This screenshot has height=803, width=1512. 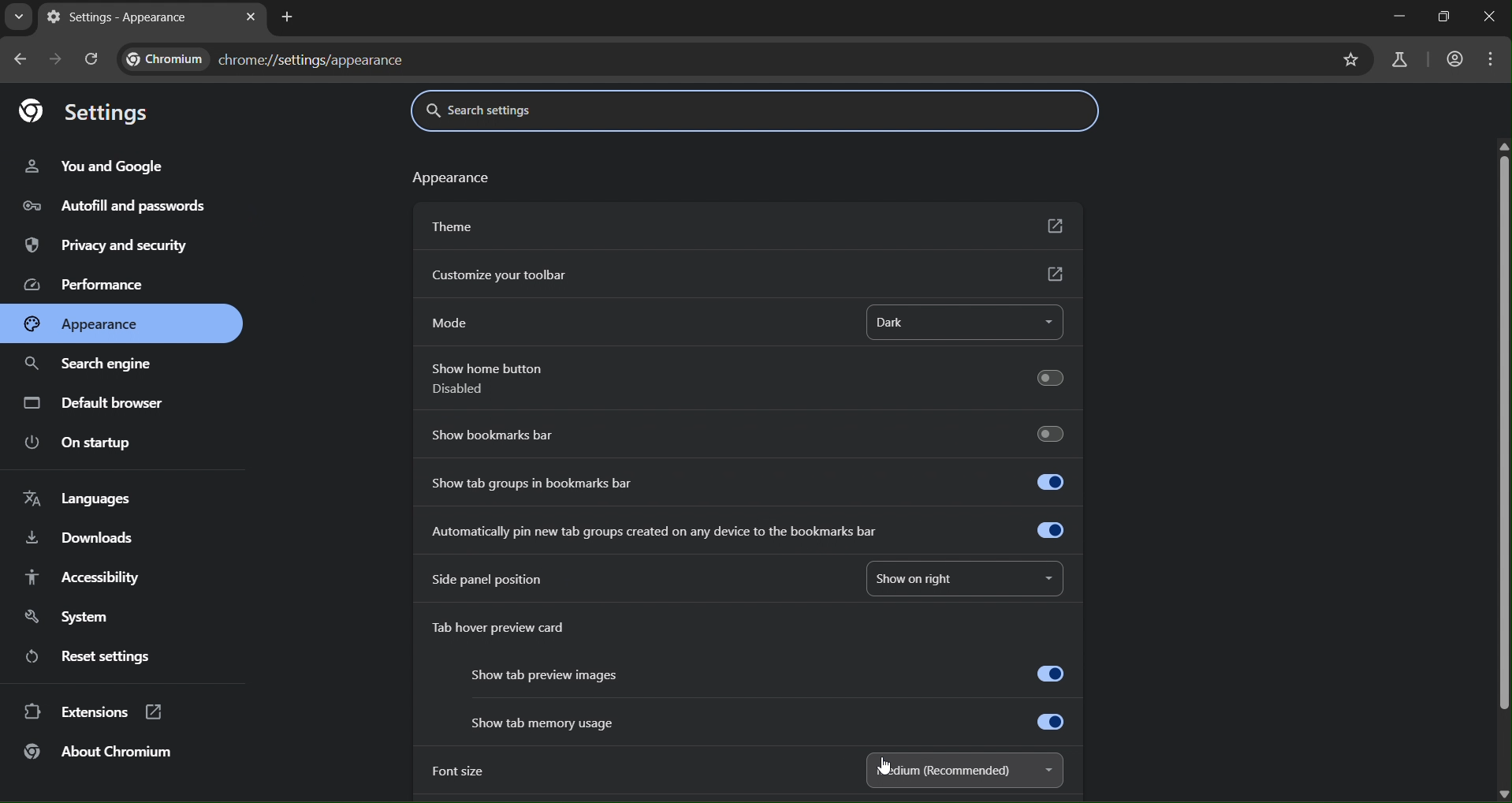 What do you see at coordinates (97, 655) in the screenshot?
I see `reset settings` at bounding box center [97, 655].